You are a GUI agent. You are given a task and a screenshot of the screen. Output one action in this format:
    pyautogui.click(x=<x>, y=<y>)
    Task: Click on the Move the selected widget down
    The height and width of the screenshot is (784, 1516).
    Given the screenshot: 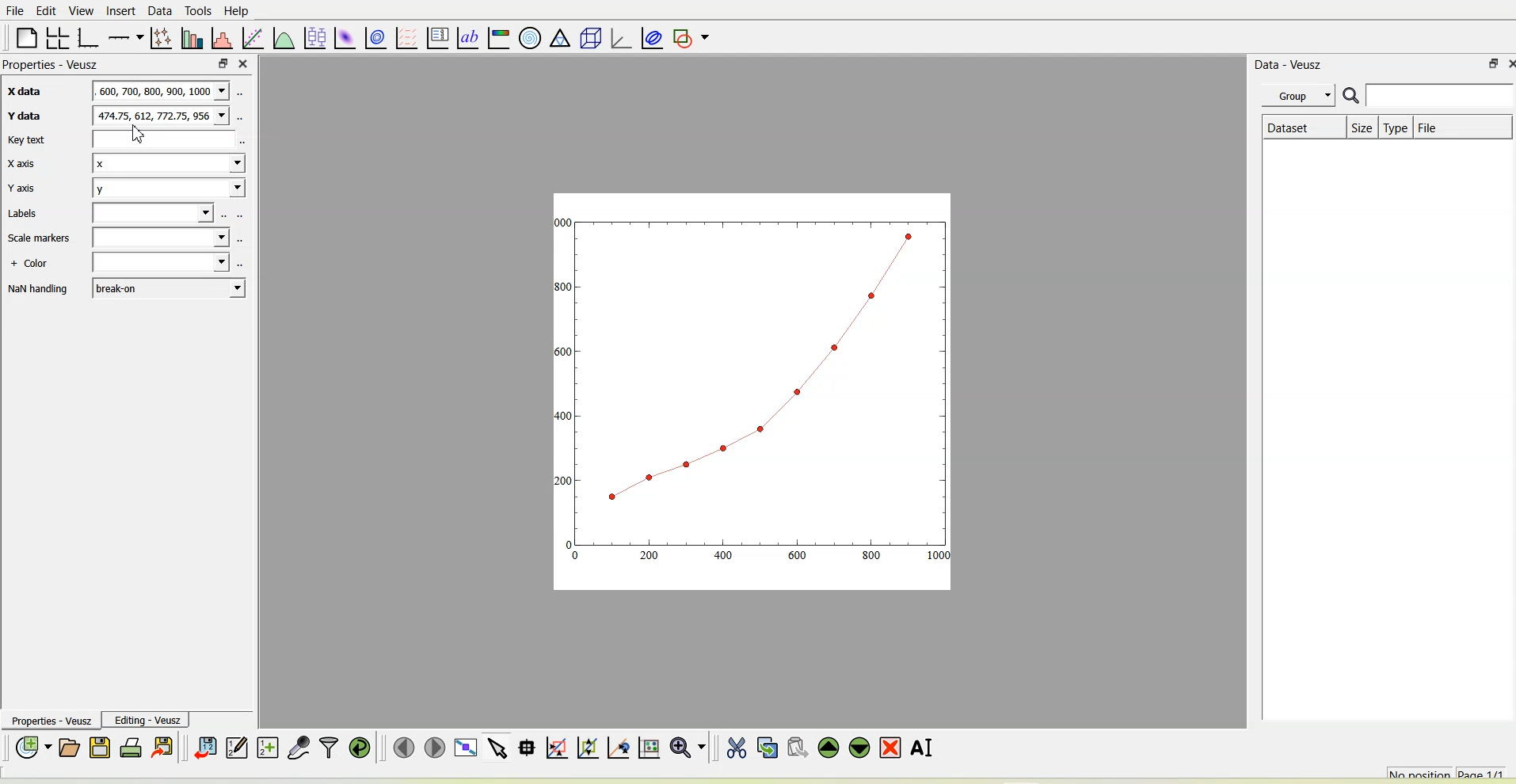 What is the action you would take?
    pyautogui.click(x=859, y=748)
    